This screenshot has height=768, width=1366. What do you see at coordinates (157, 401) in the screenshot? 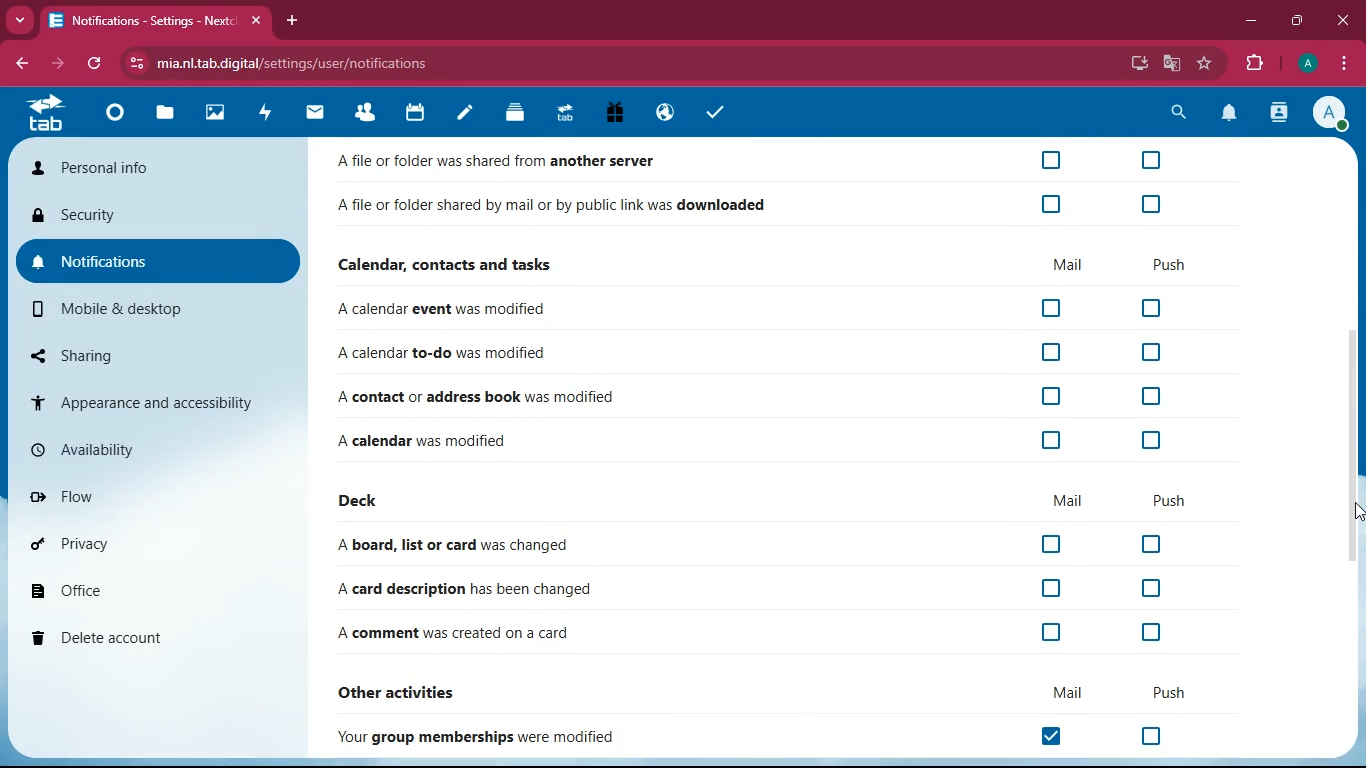
I see `appearance and accessibility` at bounding box center [157, 401].